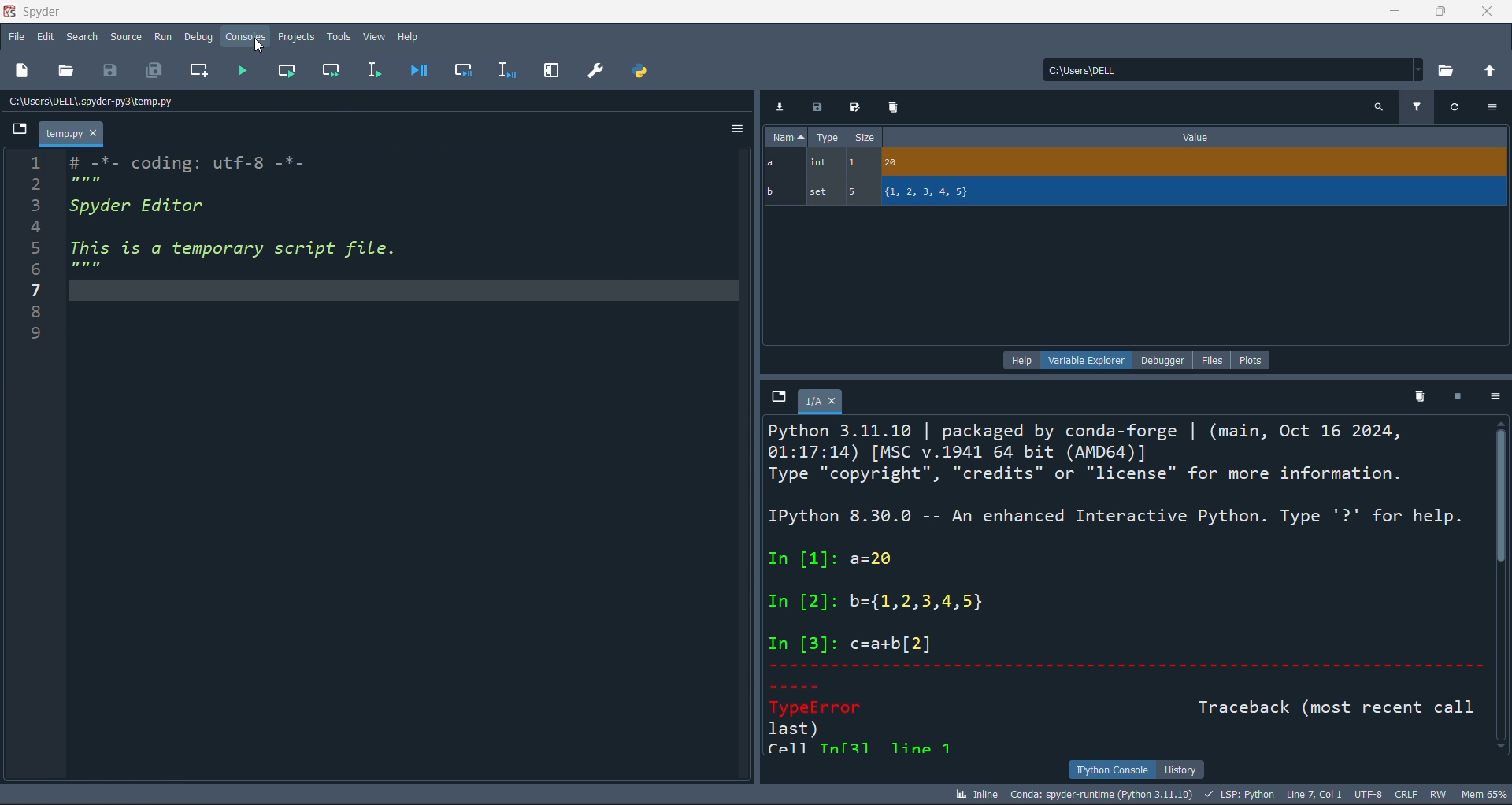 Image resolution: width=1512 pixels, height=805 pixels. What do you see at coordinates (732, 130) in the screenshot?
I see `more options` at bounding box center [732, 130].